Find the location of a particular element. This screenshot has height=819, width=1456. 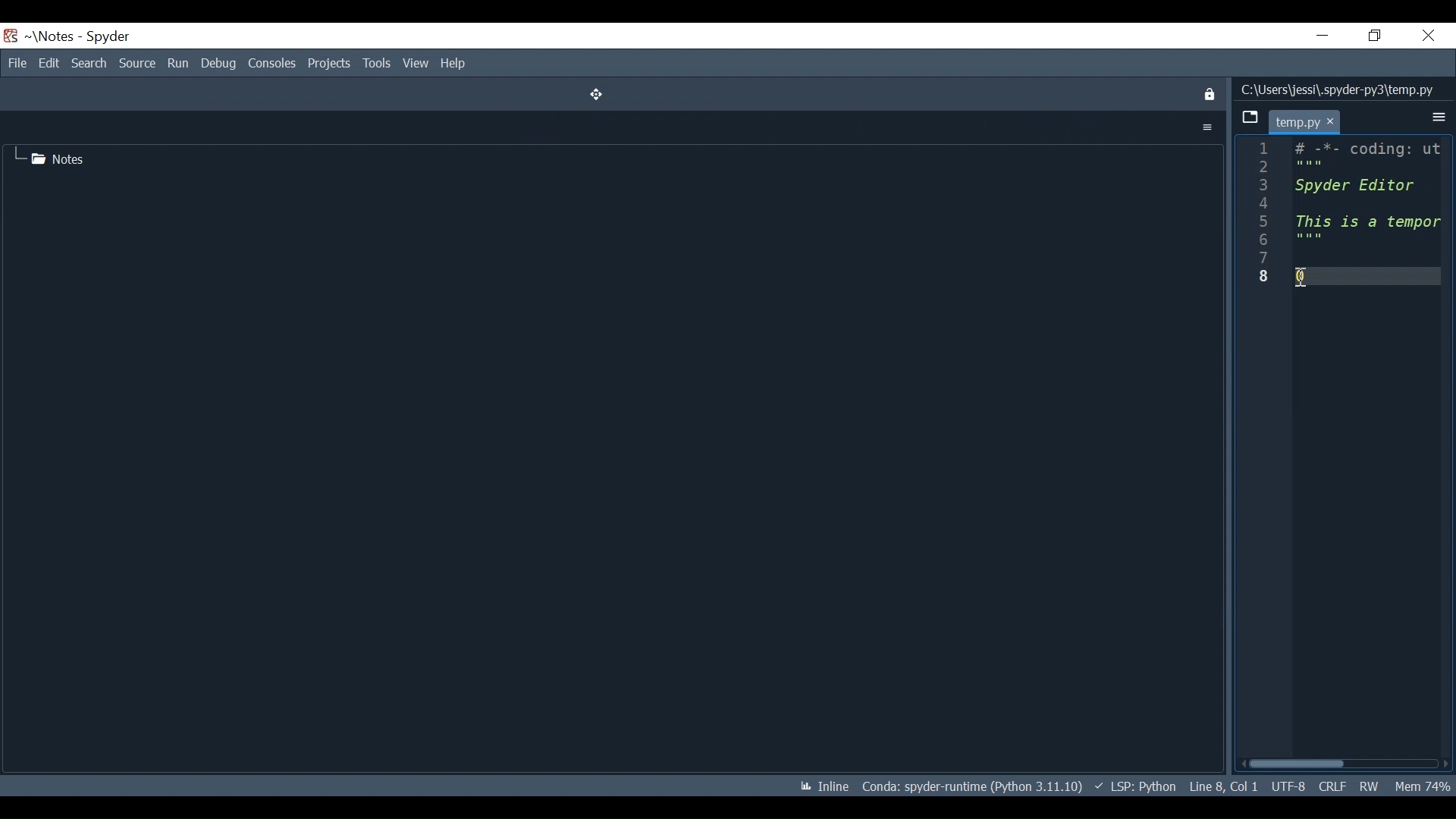

Close is located at coordinates (1207, 93).